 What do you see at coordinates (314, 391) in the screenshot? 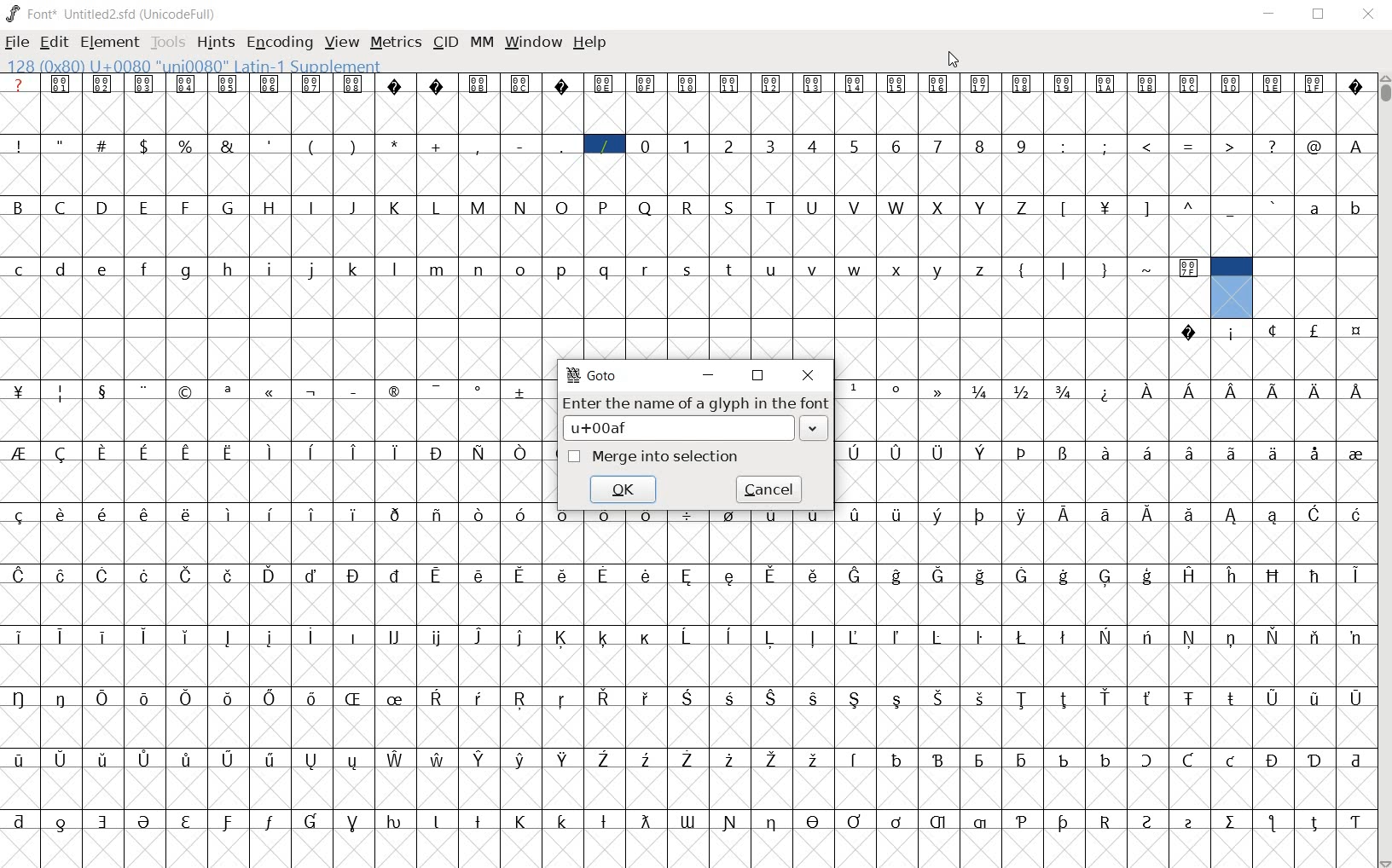
I see `Symbol` at bounding box center [314, 391].